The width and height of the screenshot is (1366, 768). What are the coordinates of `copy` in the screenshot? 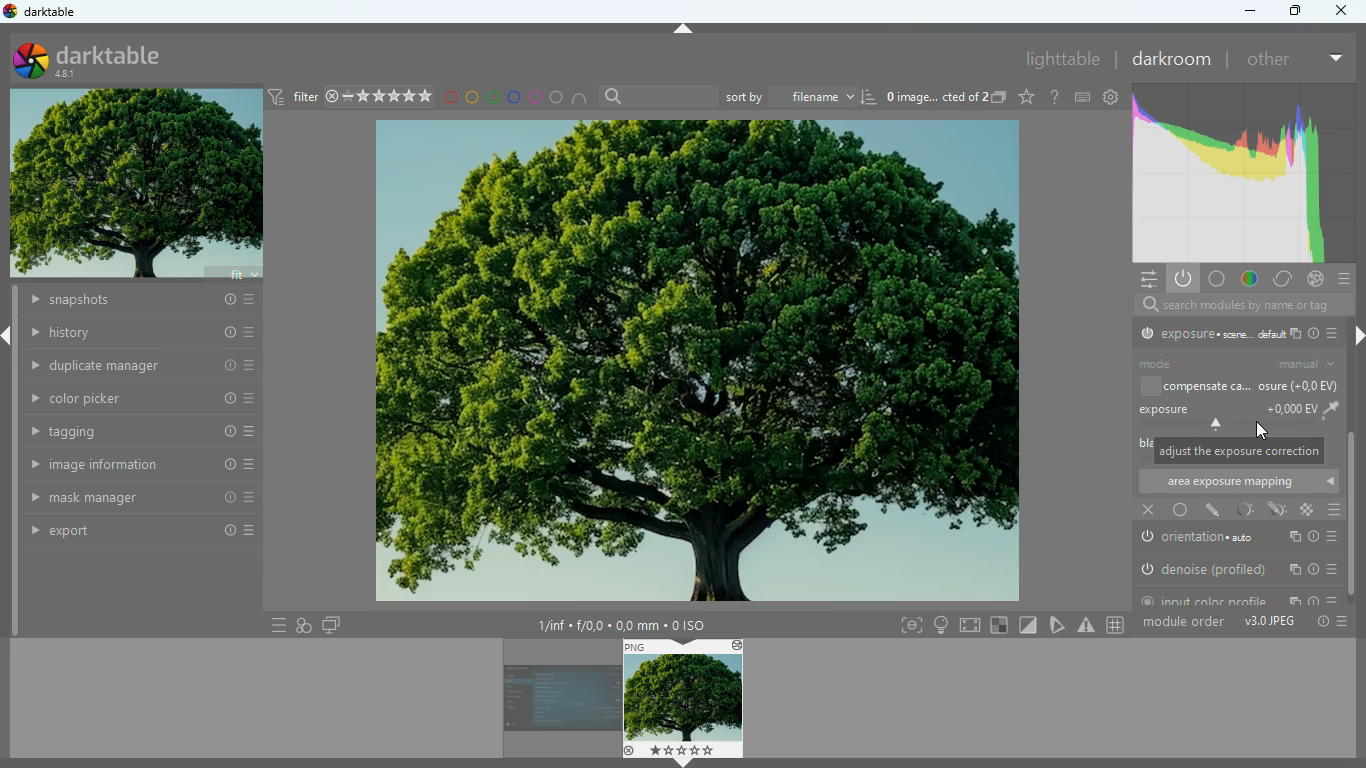 It's located at (1001, 98).